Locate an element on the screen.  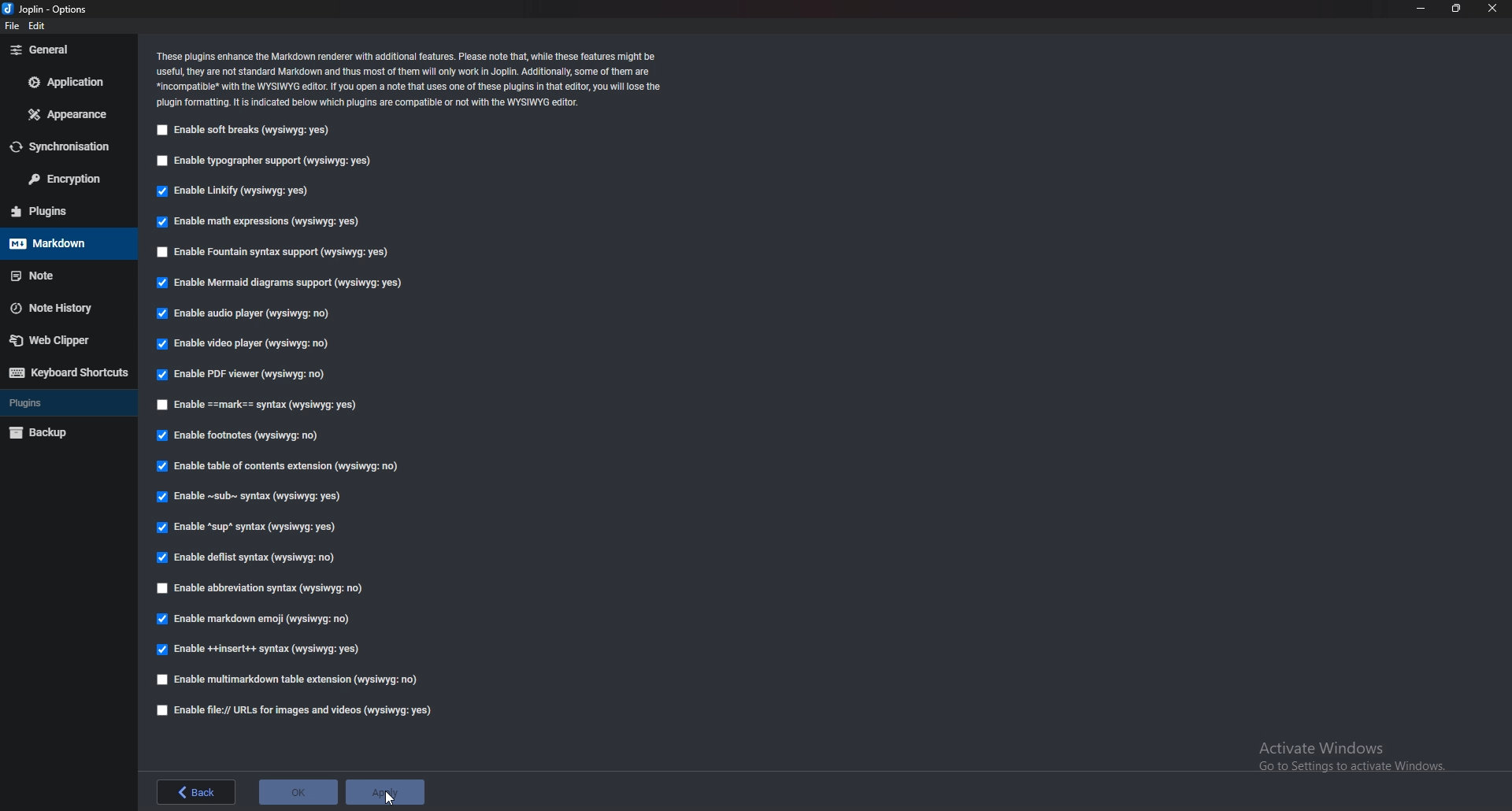
Back up is located at coordinates (61, 432).